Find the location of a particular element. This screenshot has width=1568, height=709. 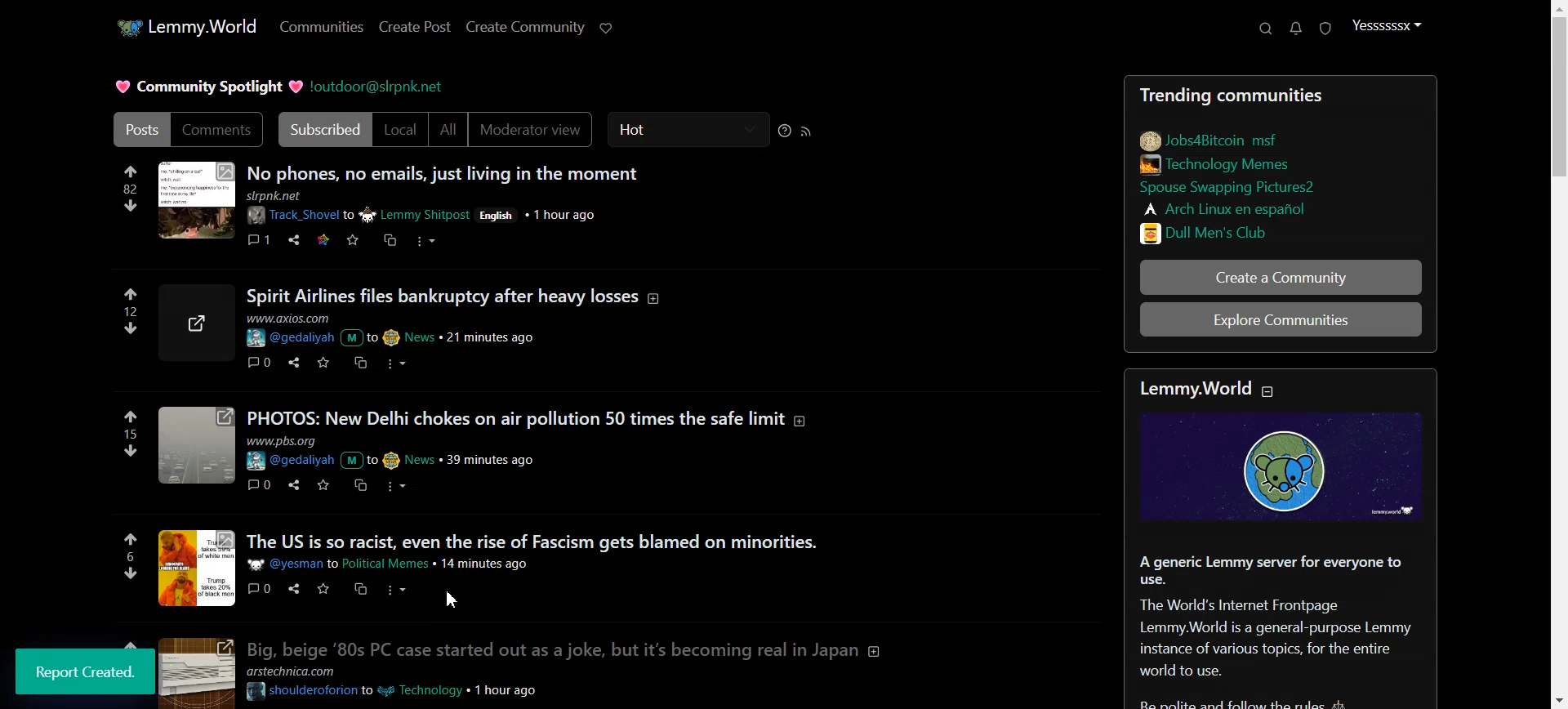

Posts is located at coordinates (1228, 91).